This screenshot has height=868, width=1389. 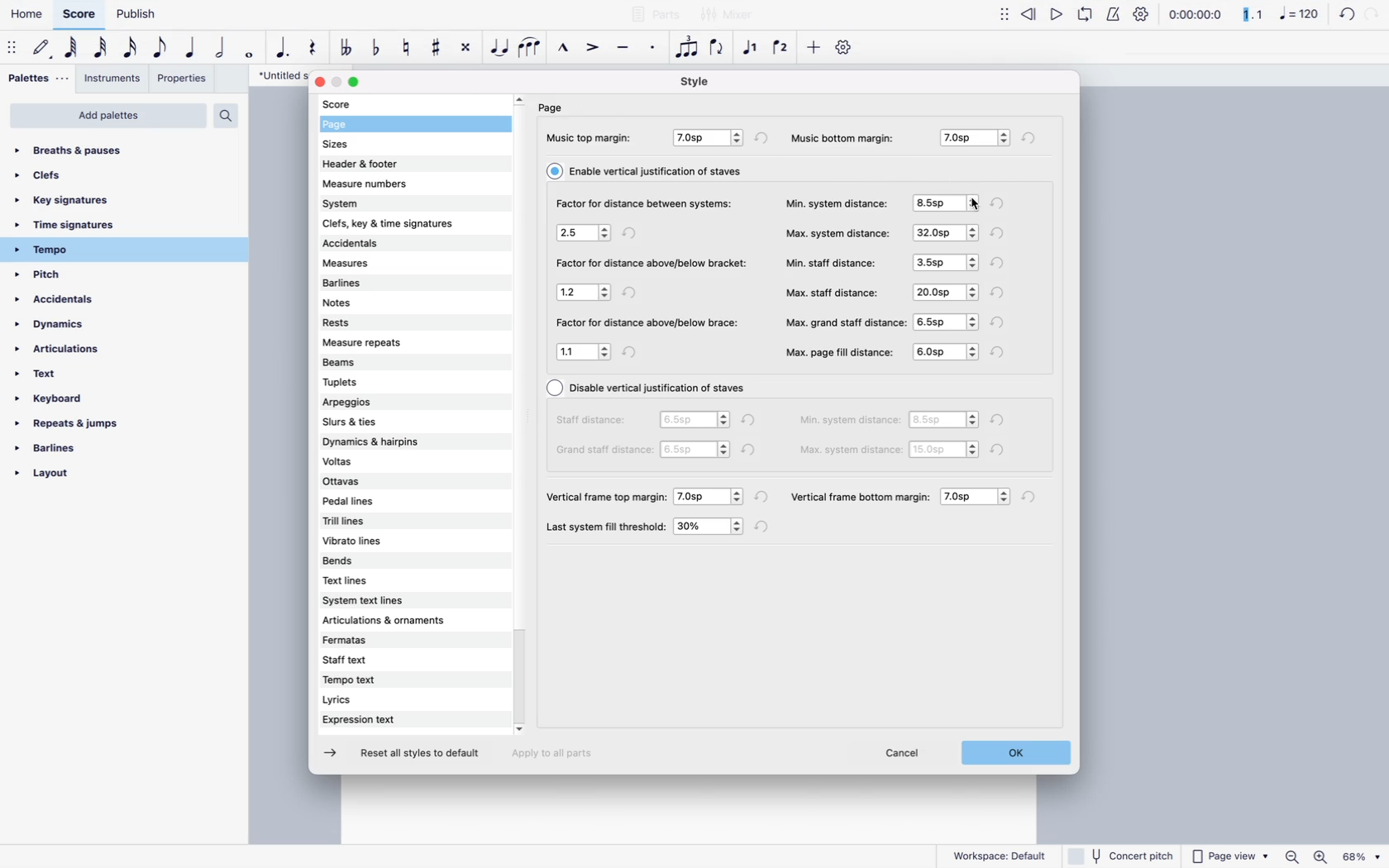 What do you see at coordinates (387, 245) in the screenshot?
I see `accidentals` at bounding box center [387, 245].